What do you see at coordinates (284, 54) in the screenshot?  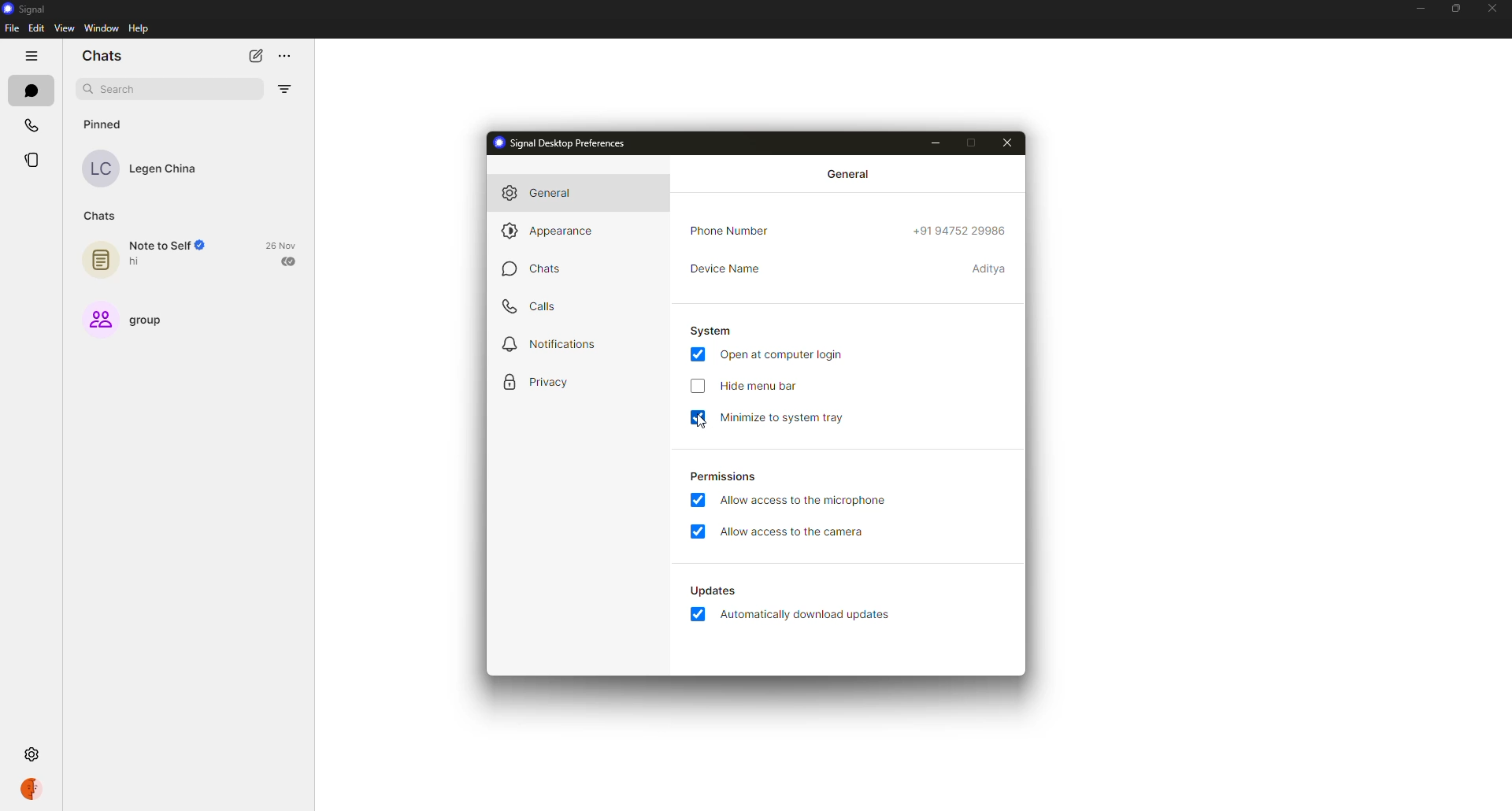 I see `more` at bounding box center [284, 54].